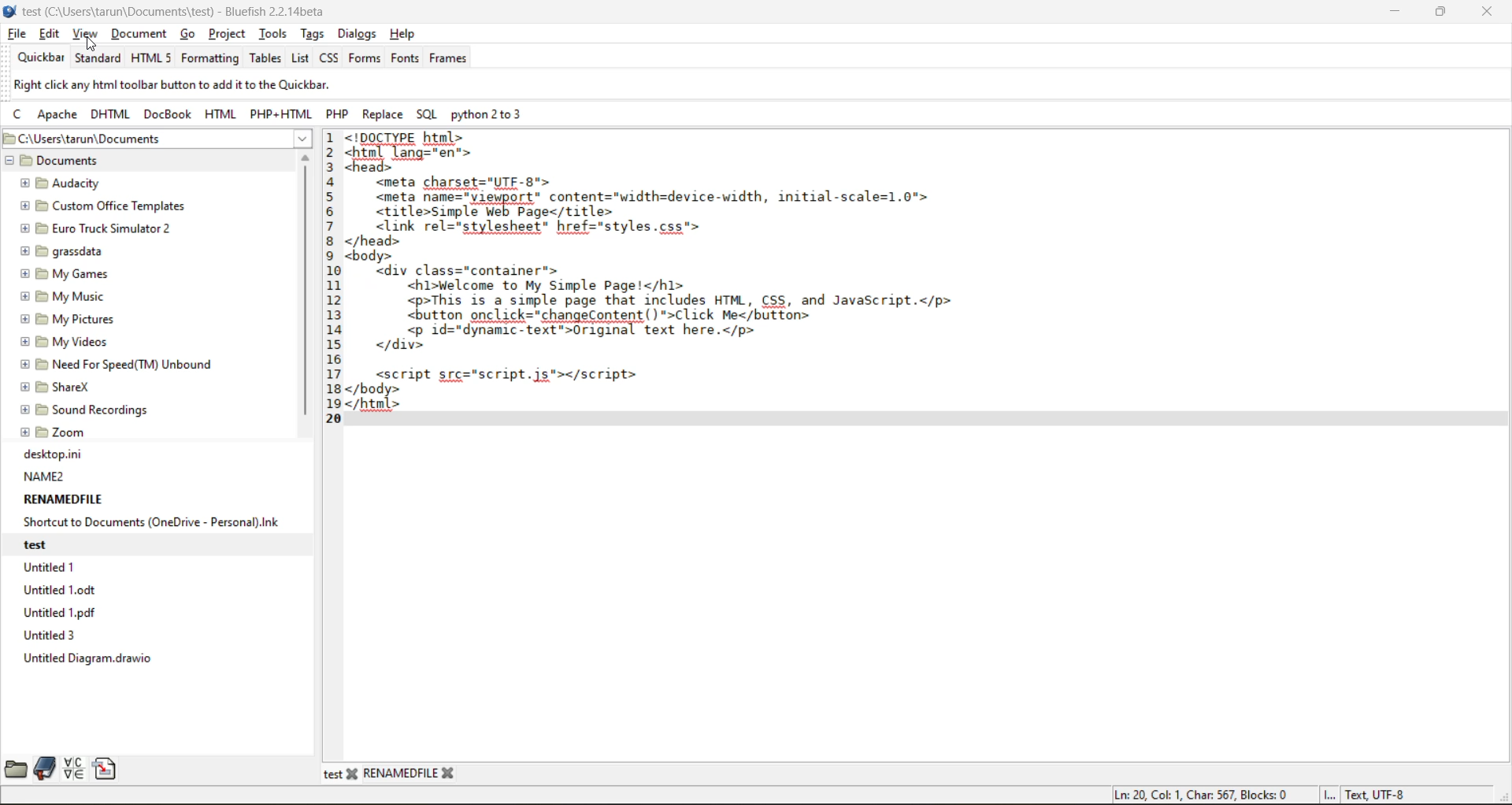 This screenshot has width=1512, height=805. Describe the element at coordinates (284, 116) in the screenshot. I see `php html` at that location.